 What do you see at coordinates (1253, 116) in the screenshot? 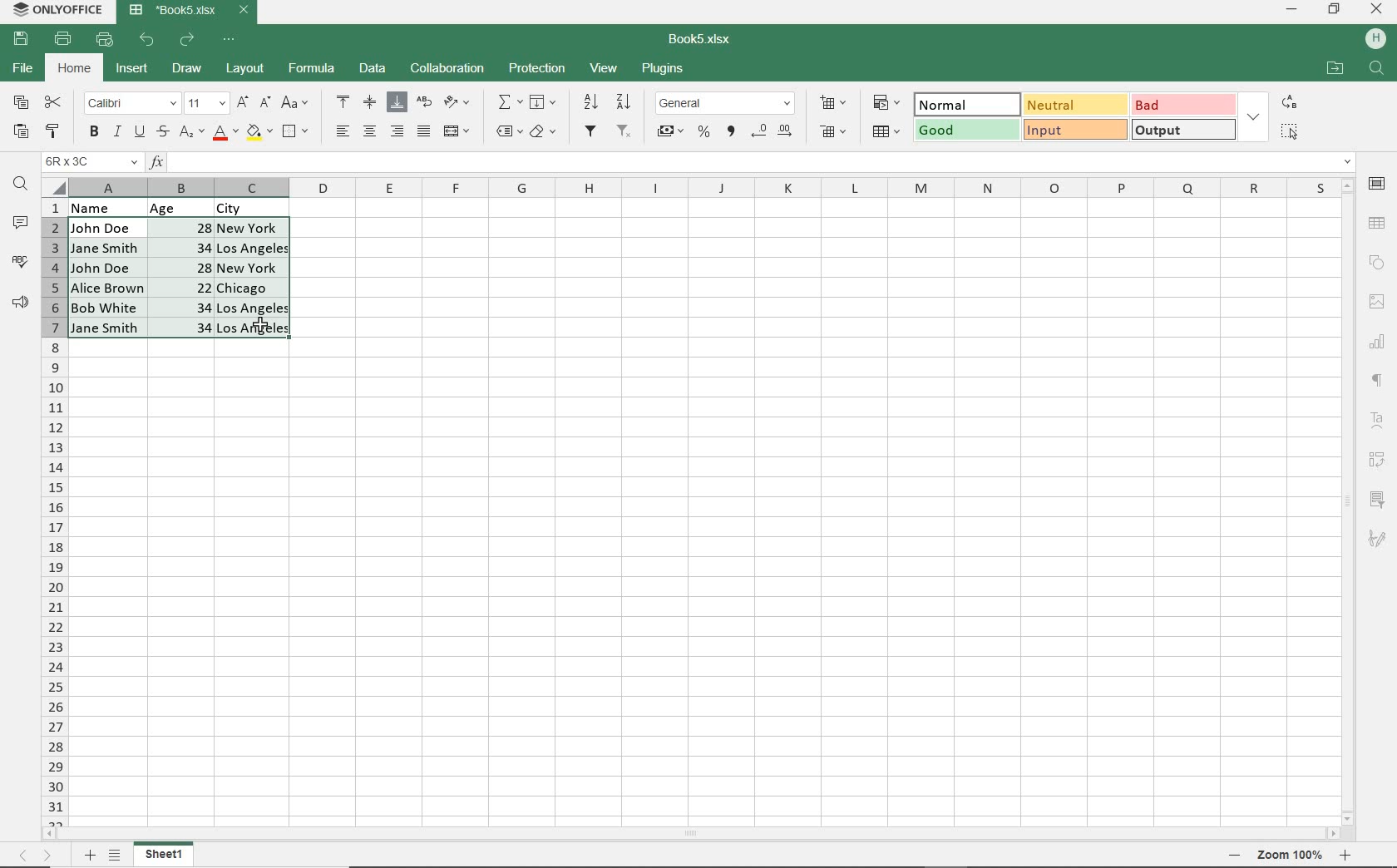
I see `EXPAND` at bounding box center [1253, 116].